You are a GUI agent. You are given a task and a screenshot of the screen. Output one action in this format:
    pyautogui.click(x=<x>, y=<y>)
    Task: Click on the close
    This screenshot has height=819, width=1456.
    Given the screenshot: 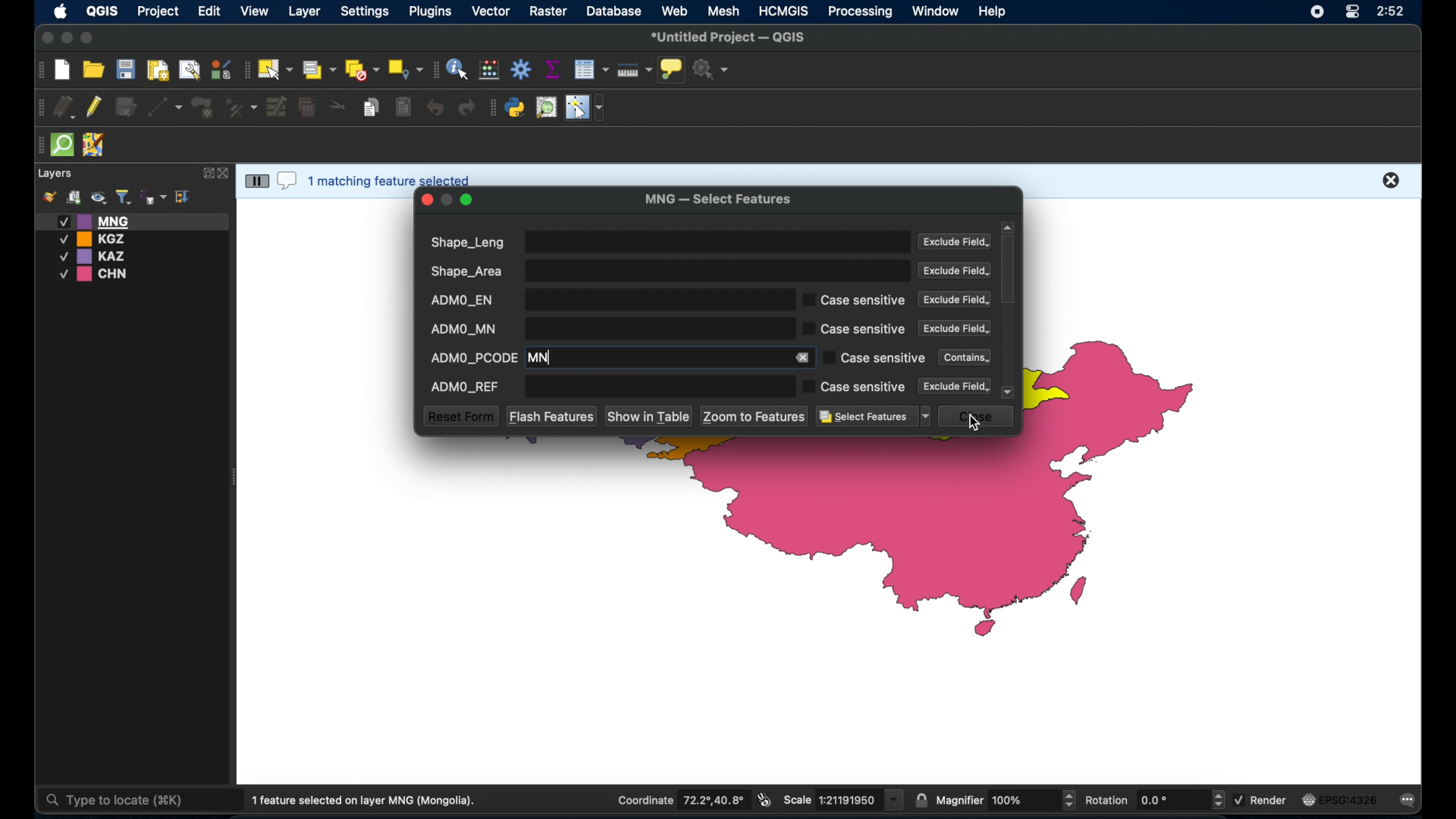 What is the action you would take?
    pyautogui.click(x=427, y=199)
    